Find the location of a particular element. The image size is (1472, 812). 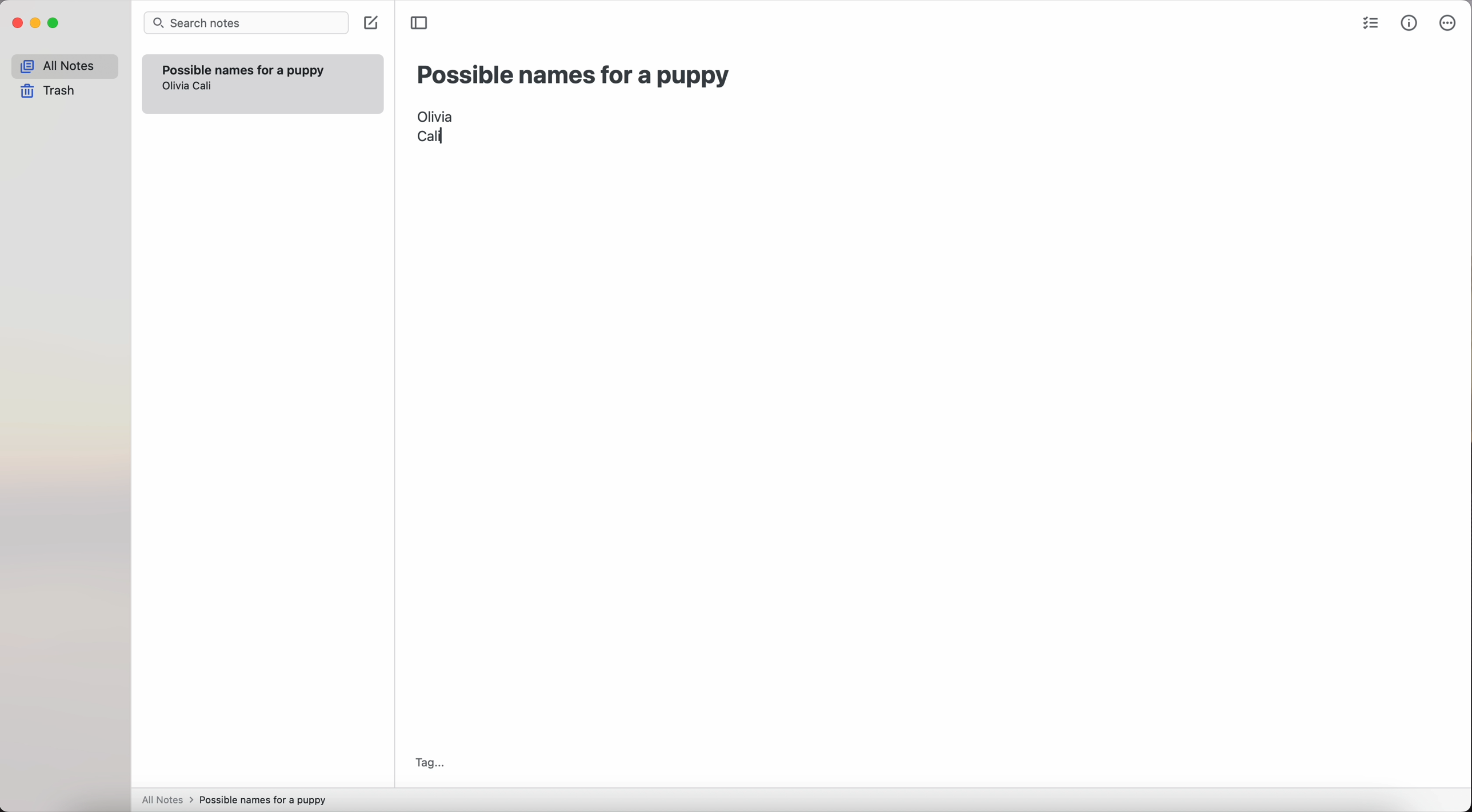

all notes is located at coordinates (65, 66).